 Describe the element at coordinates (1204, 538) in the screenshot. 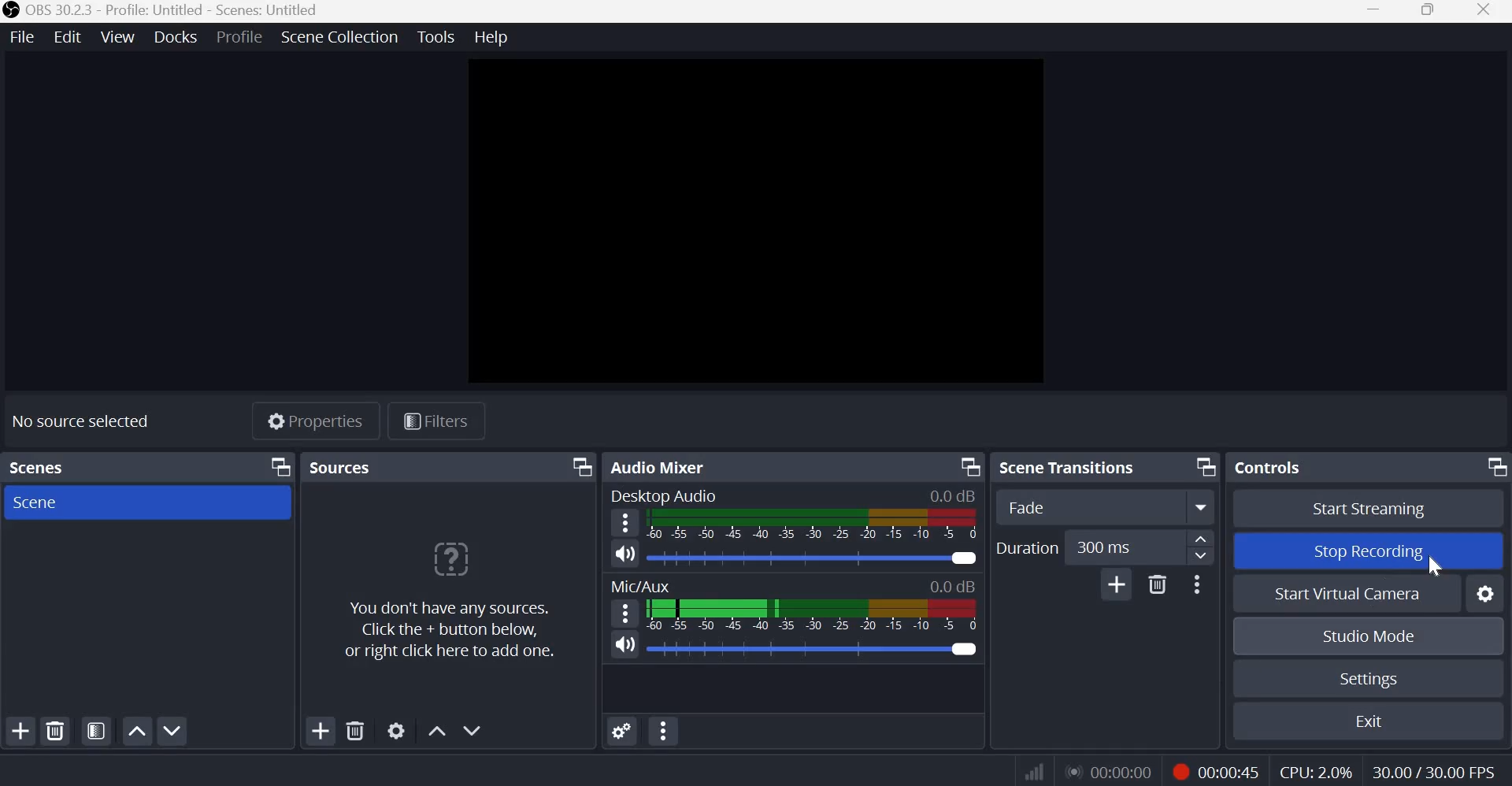

I see `increase` at that location.